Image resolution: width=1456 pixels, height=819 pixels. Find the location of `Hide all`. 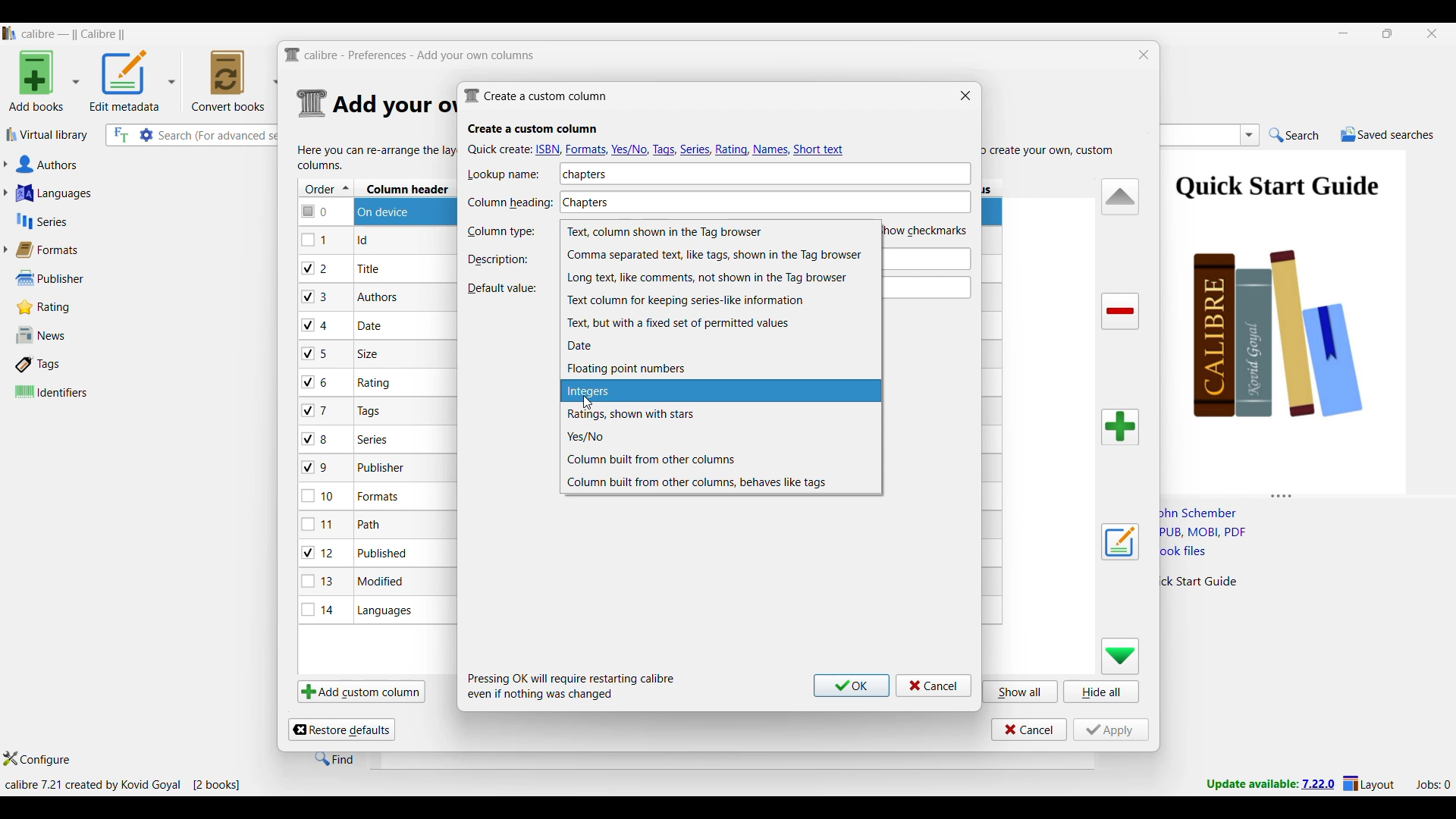

Hide all is located at coordinates (1101, 692).